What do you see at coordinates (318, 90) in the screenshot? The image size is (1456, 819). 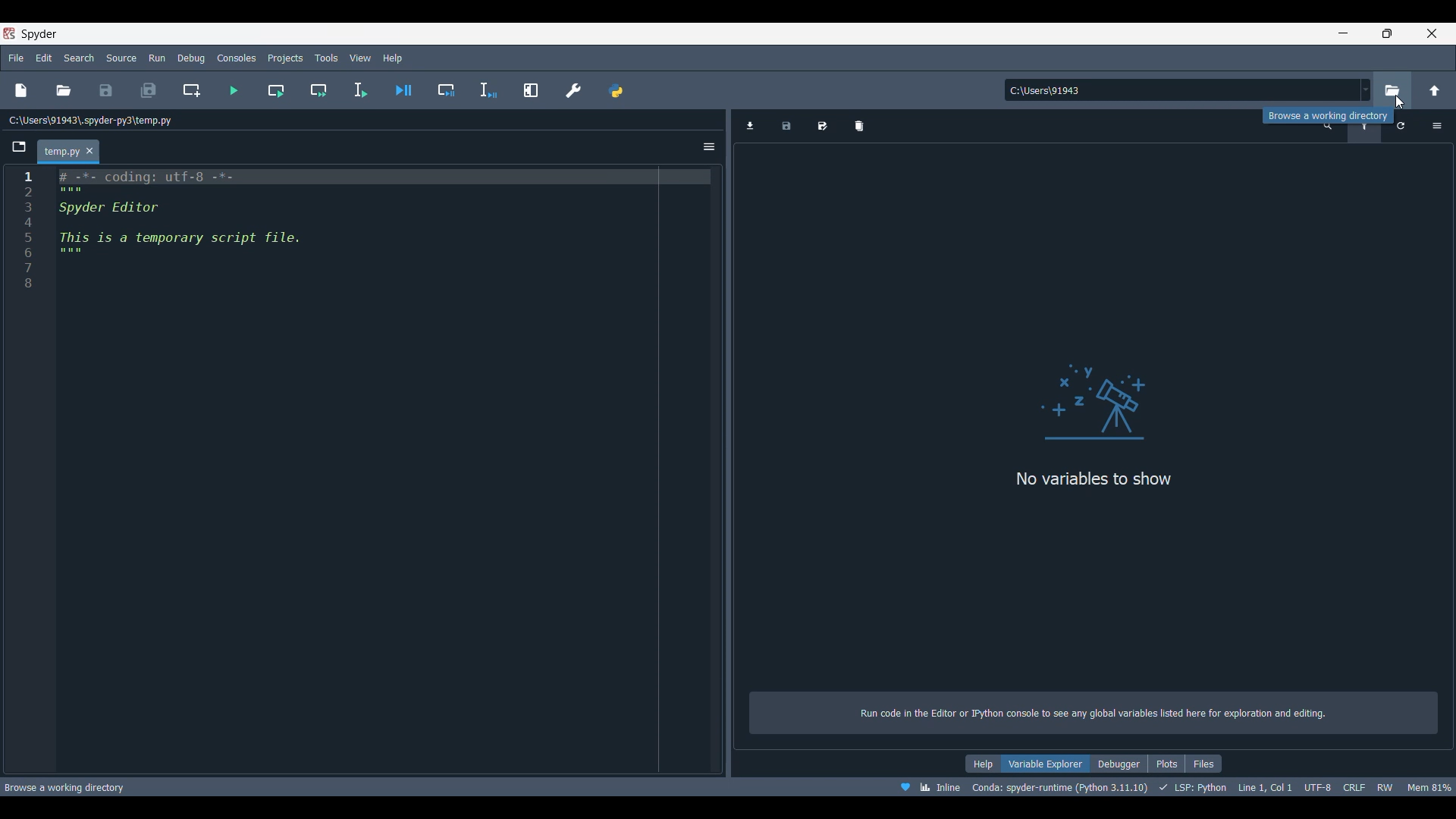 I see `Run current cell and go to next one` at bounding box center [318, 90].